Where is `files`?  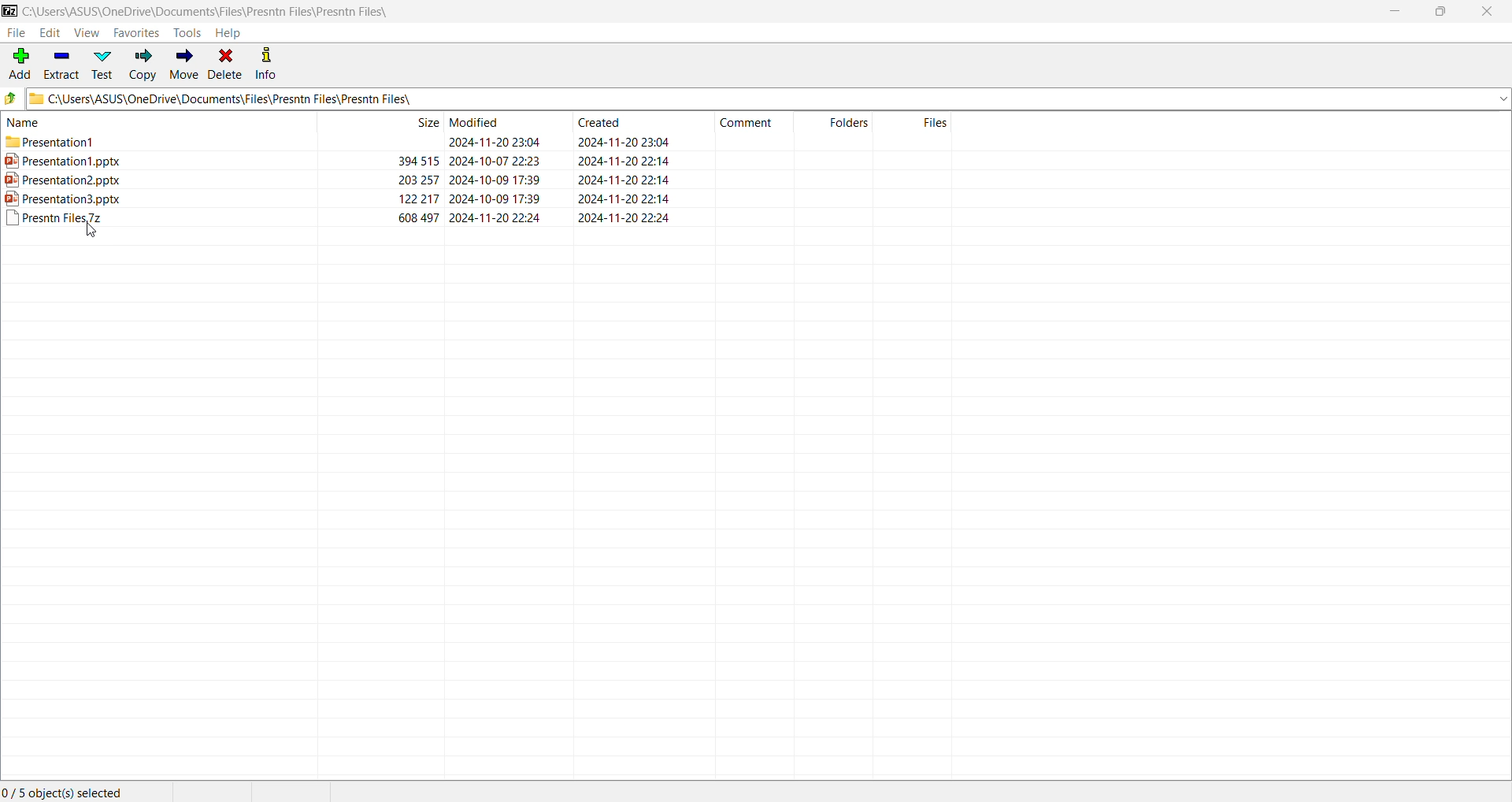 files is located at coordinates (938, 121).